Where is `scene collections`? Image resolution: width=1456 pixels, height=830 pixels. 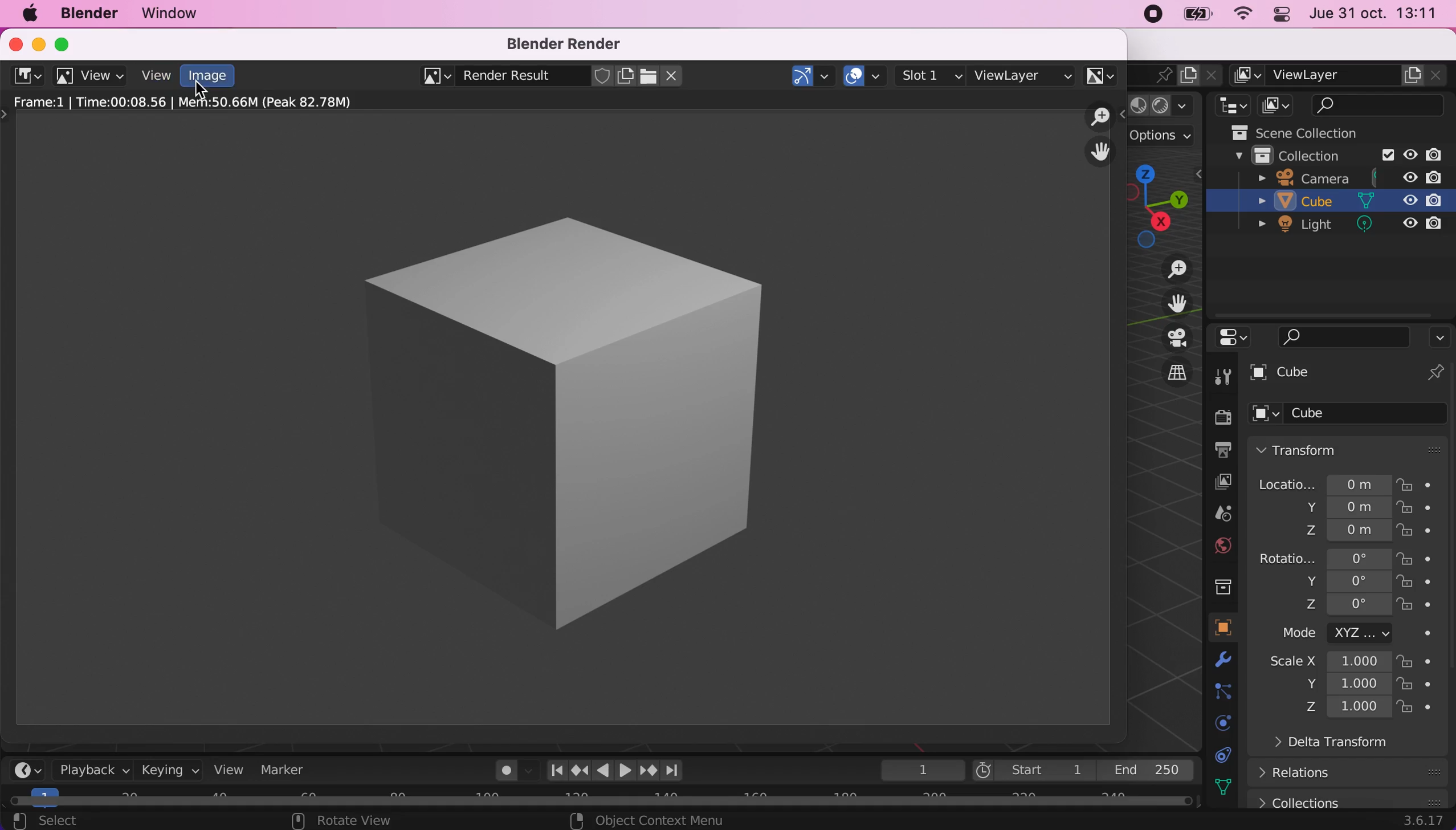 scene collections is located at coordinates (1316, 131).